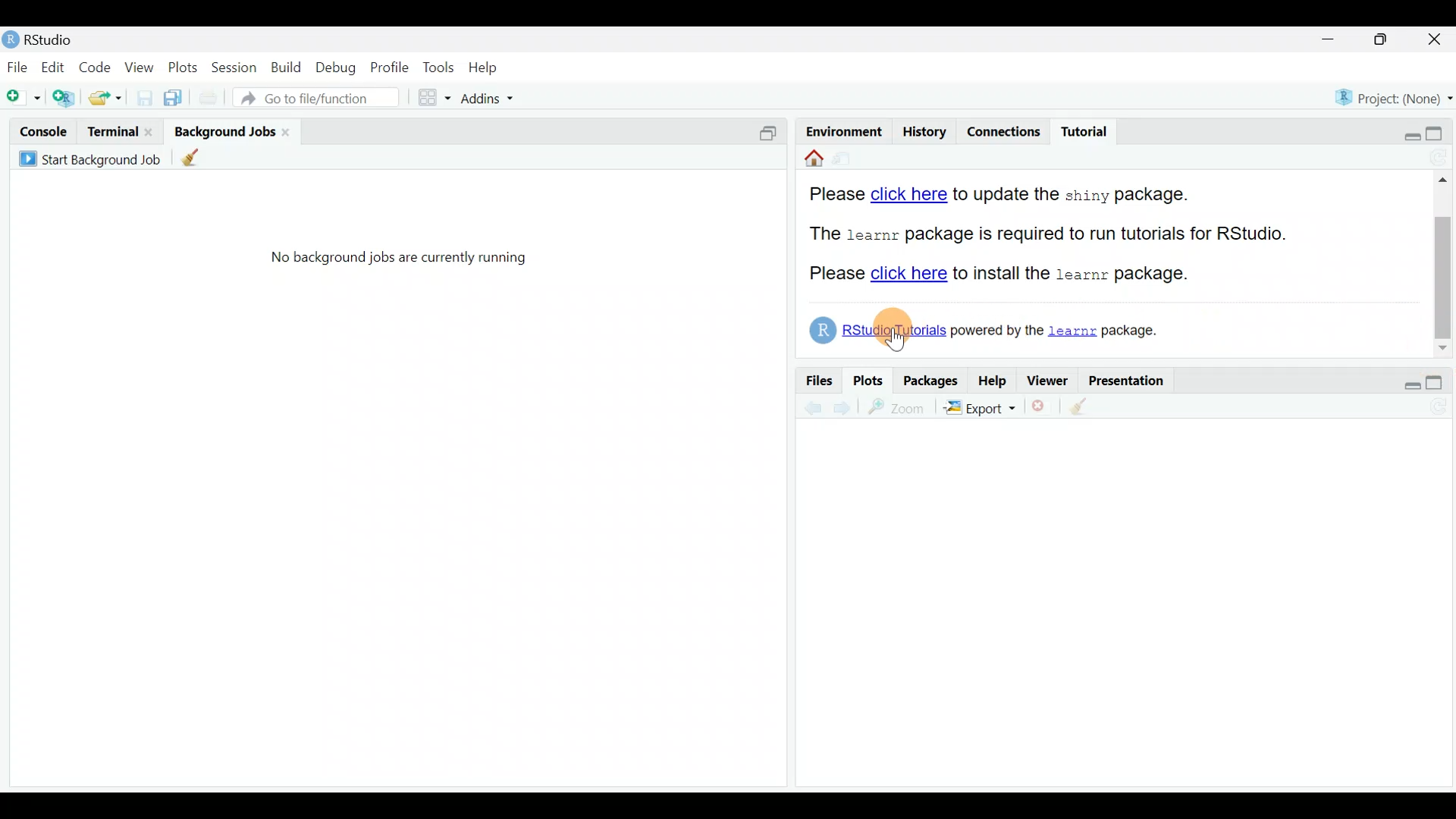 The width and height of the screenshot is (1456, 819). I want to click on Close, so click(1436, 40).